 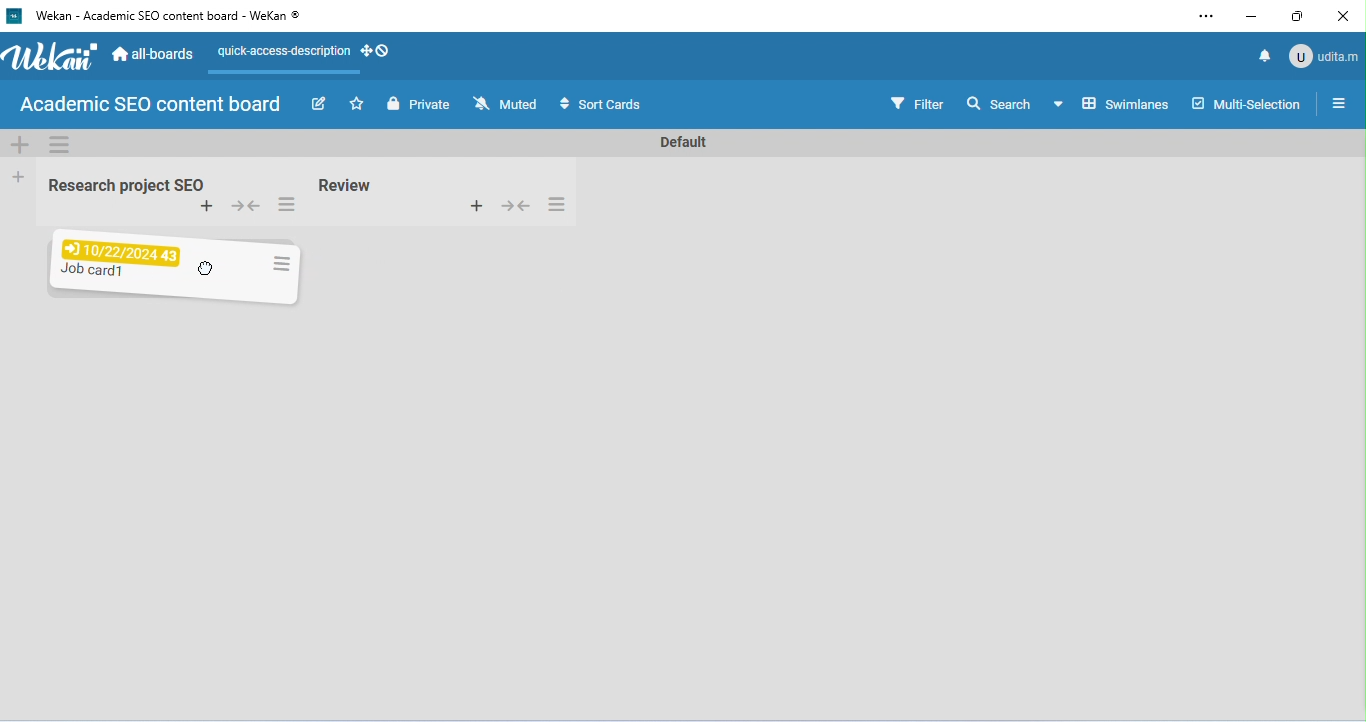 What do you see at coordinates (916, 102) in the screenshot?
I see `filter` at bounding box center [916, 102].